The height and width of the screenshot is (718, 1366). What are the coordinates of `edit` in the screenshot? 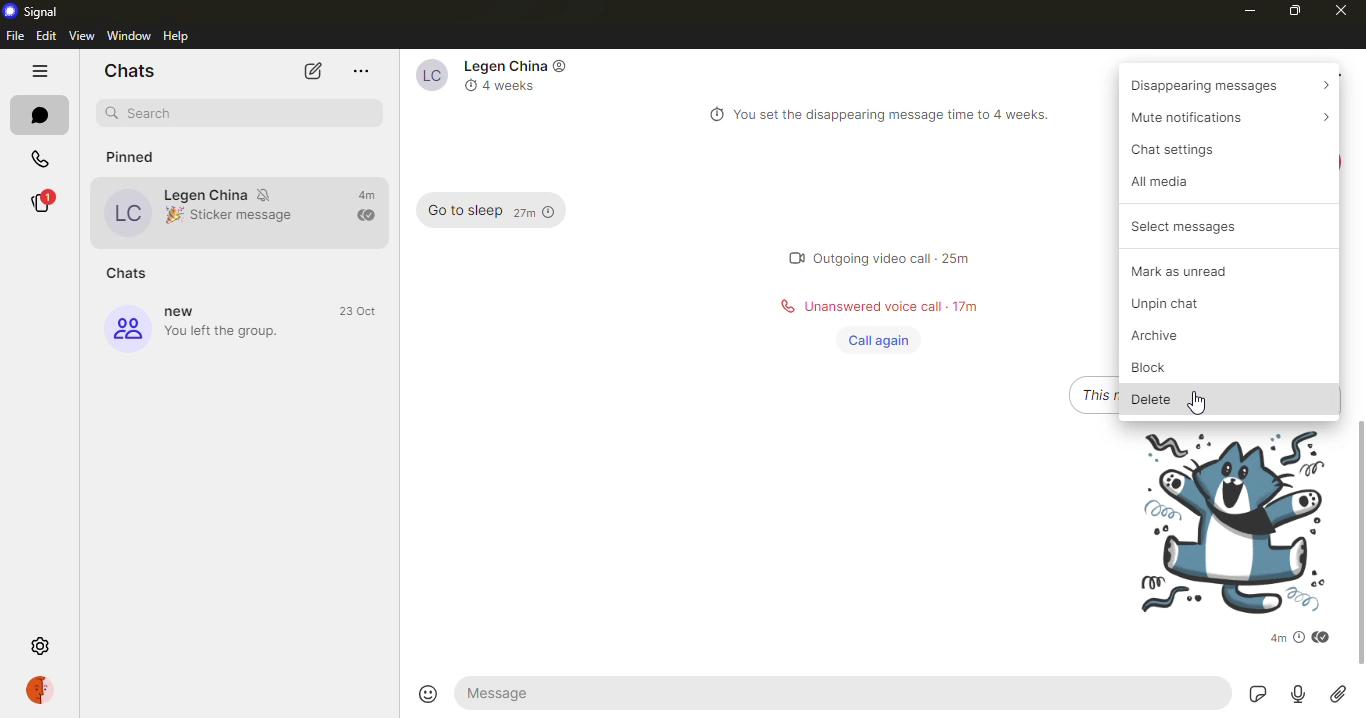 It's located at (46, 36).